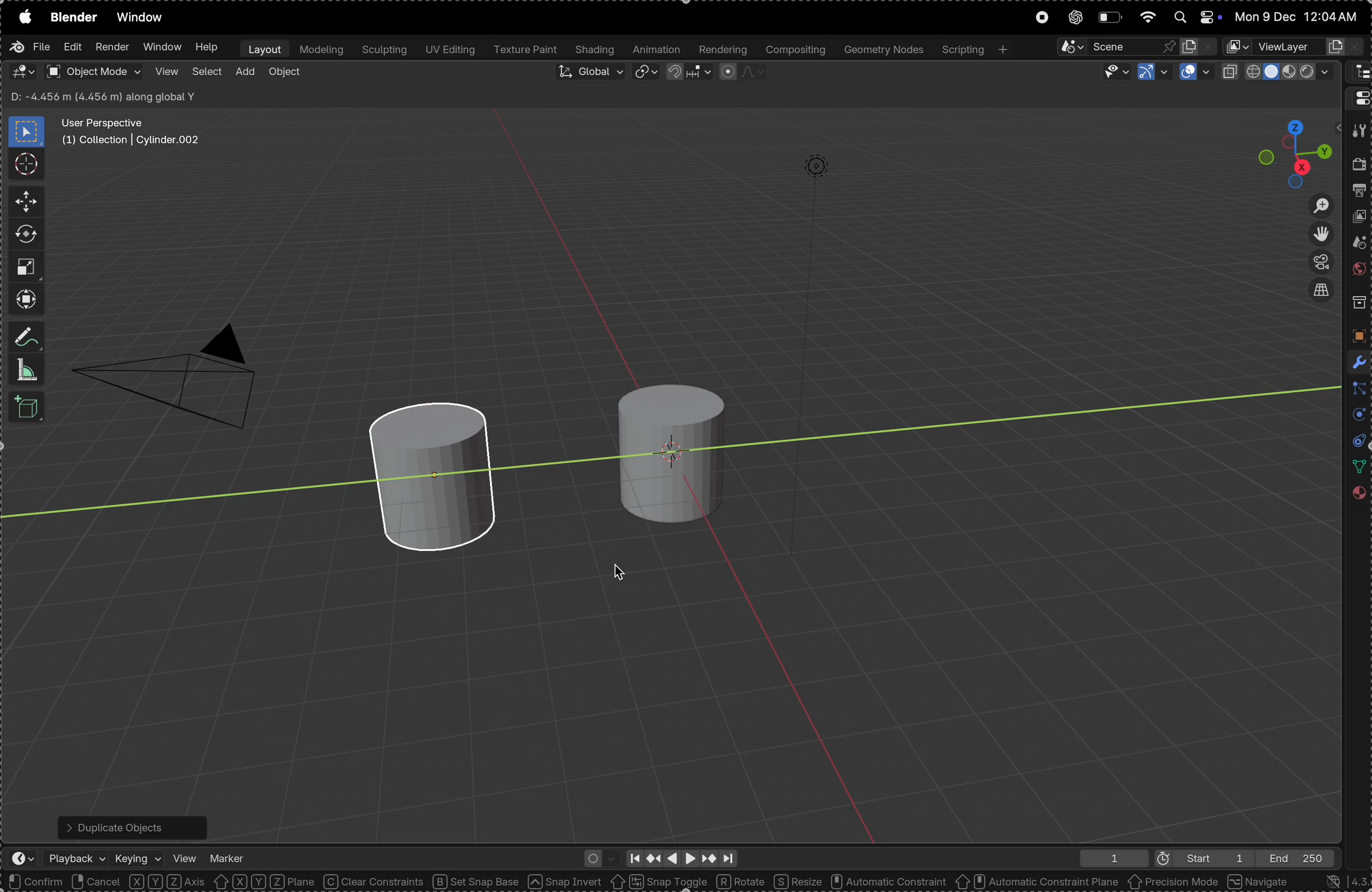 The height and width of the screenshot is (892, 1372). I want to click on wifi, so click(1147, 16).